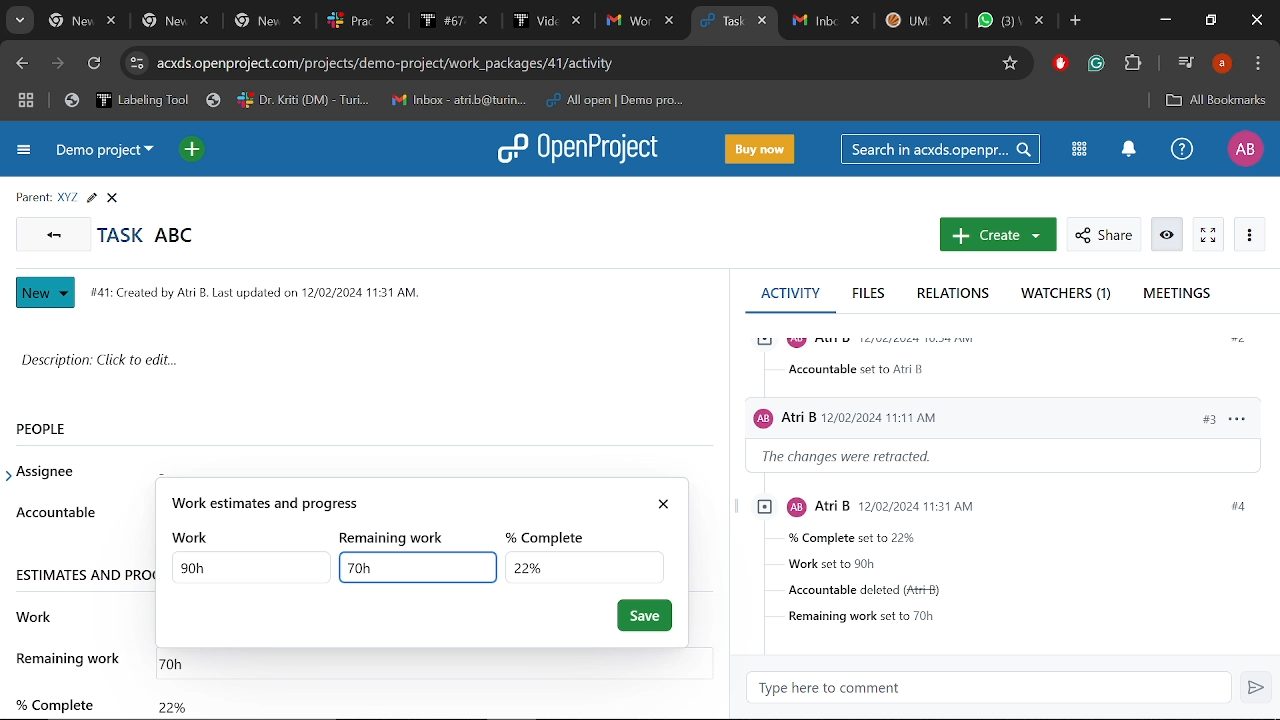 The image size is (1280, 720). What do you see at coordinates (645, 616) in the screenshot?
I see `Save` at bounding box center [645, 616].